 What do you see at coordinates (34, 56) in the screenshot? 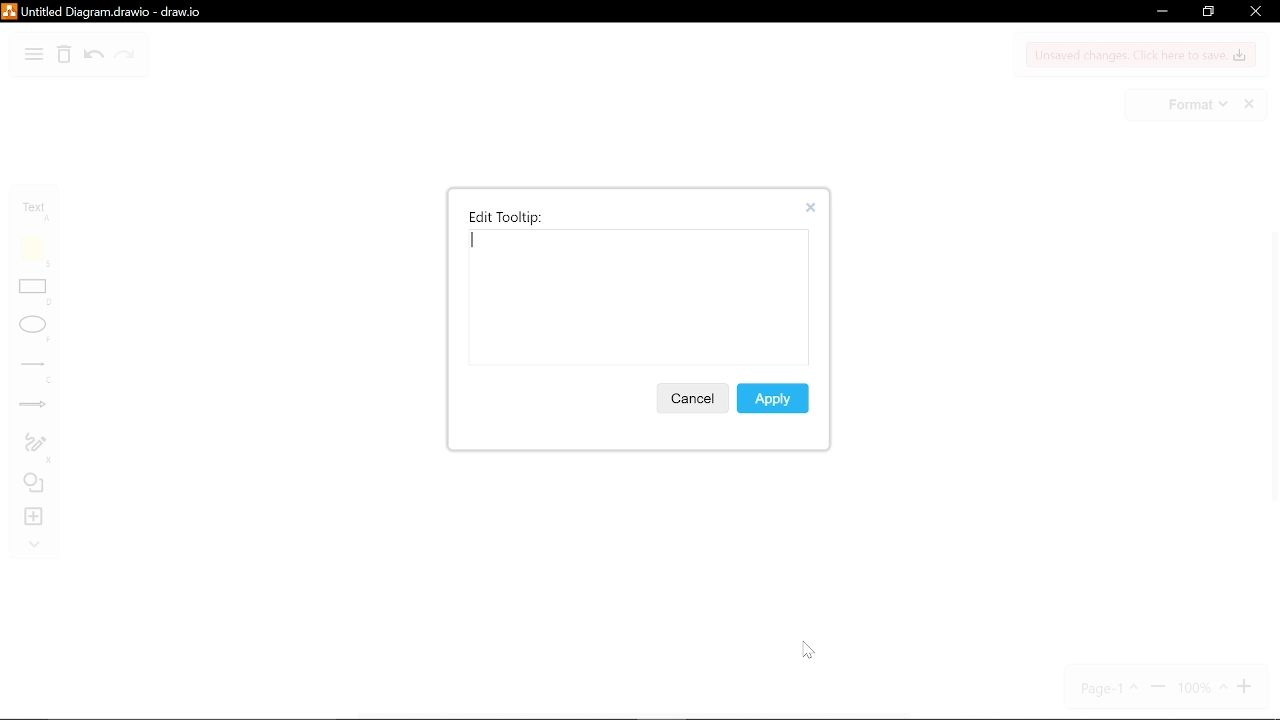
I see `diagram` at bounding box center [34, 56].